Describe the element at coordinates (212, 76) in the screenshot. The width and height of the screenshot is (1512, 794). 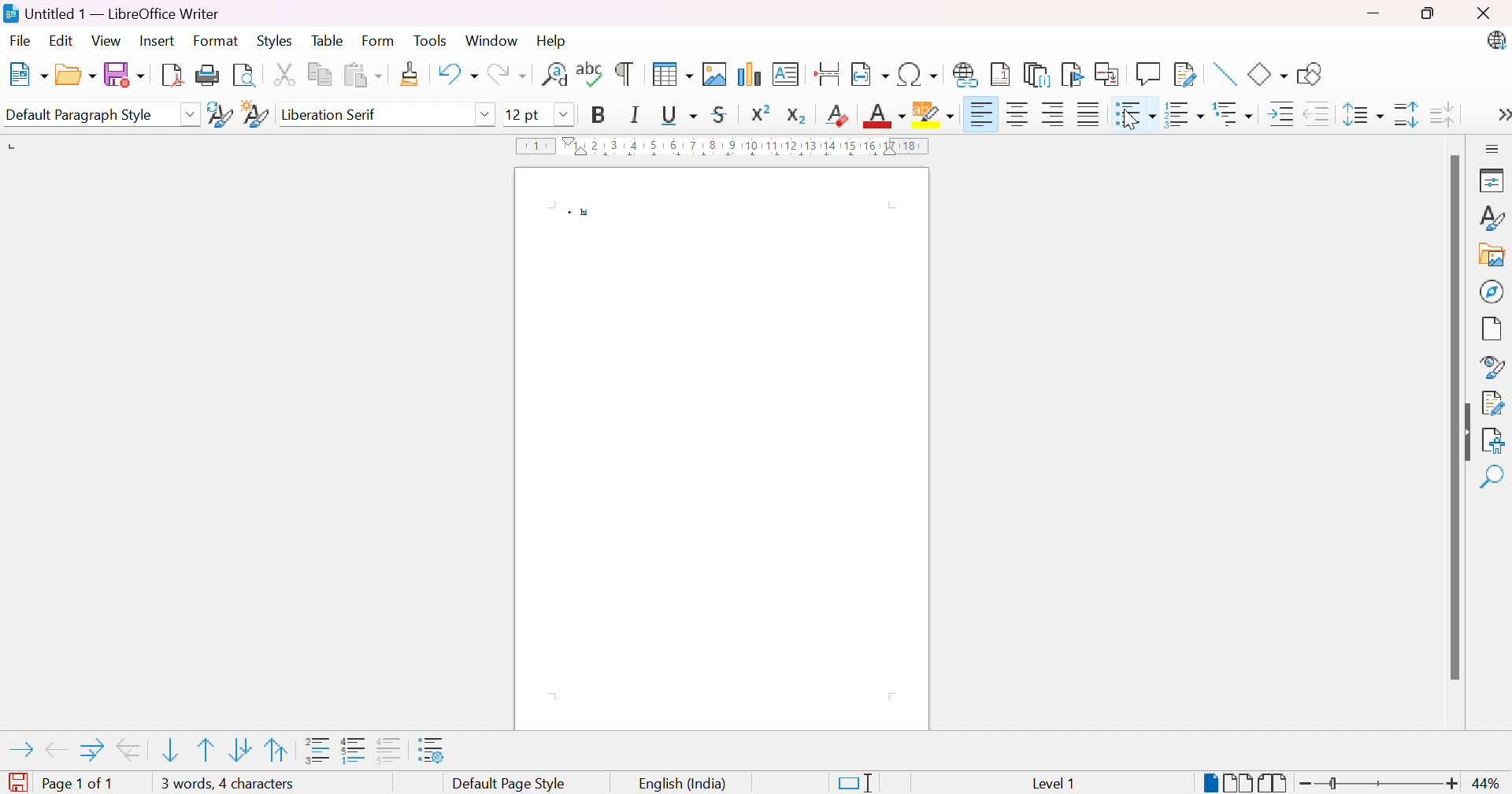
I see `Print` at that location.